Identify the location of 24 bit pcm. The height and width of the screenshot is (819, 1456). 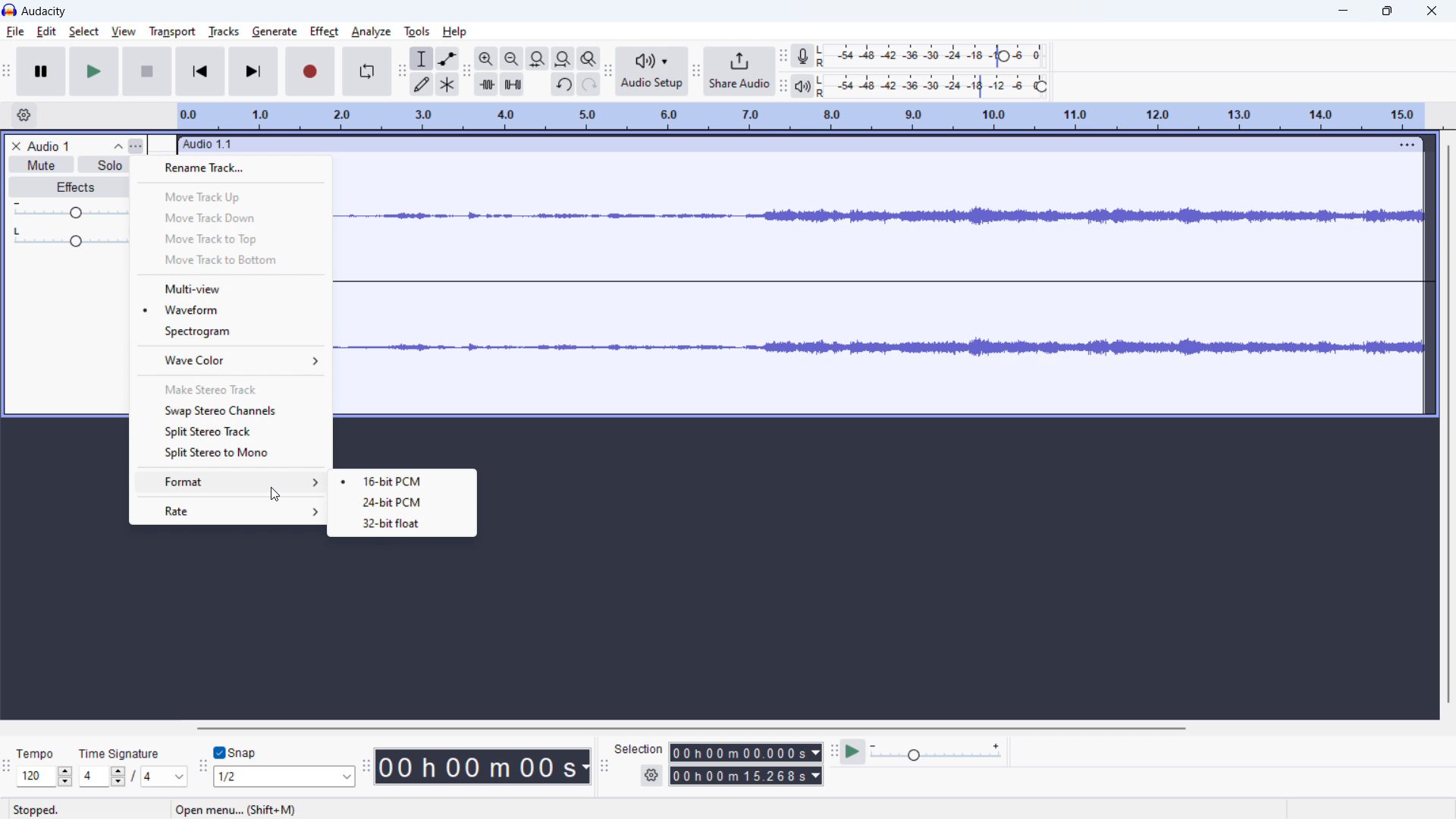
(394, 504).